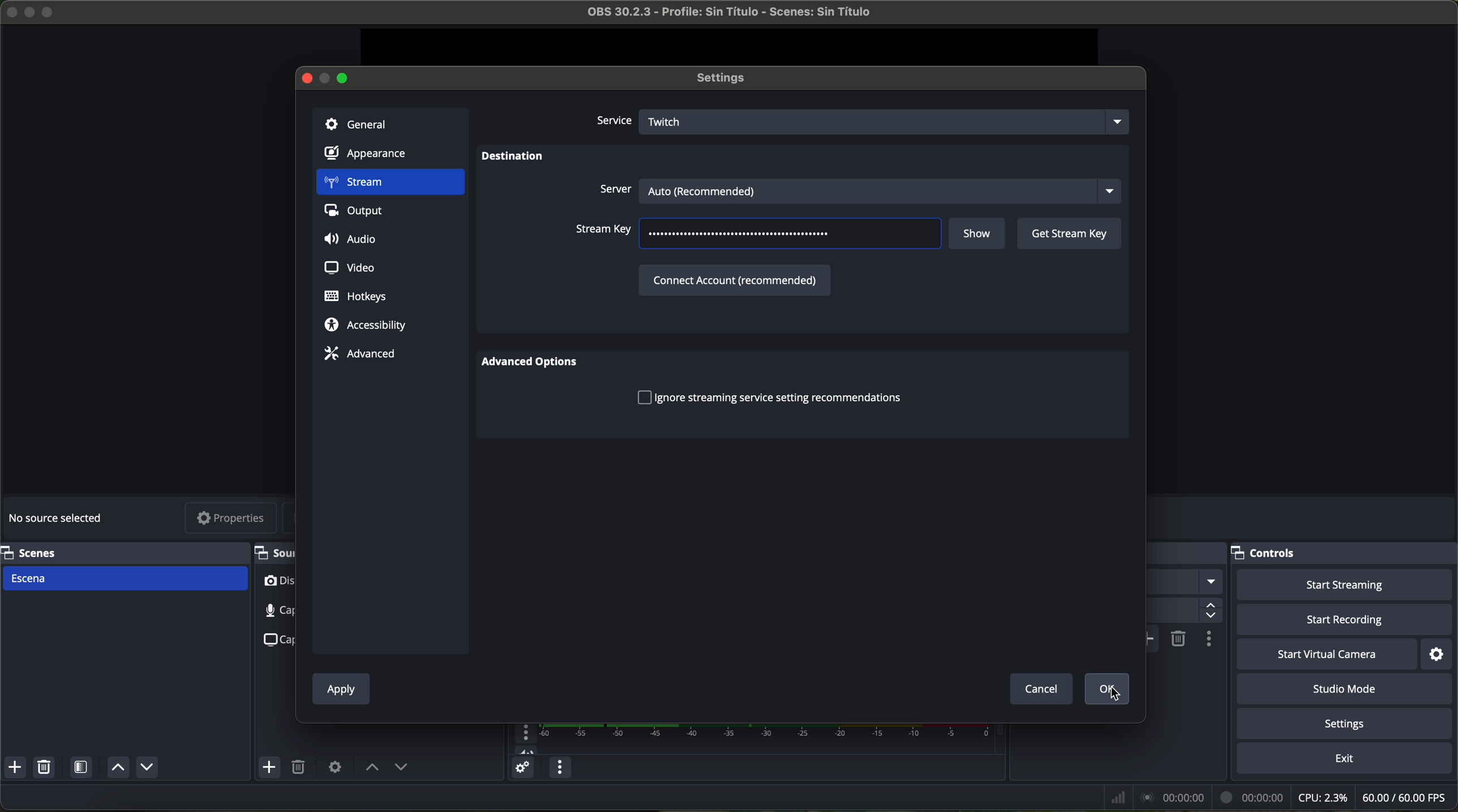 This screenshot has width=1458, height=812. What do you see at coordinates (1327, 655) in the screenshot?
I see `start virtual camera` at bounding box center [1327, 655].